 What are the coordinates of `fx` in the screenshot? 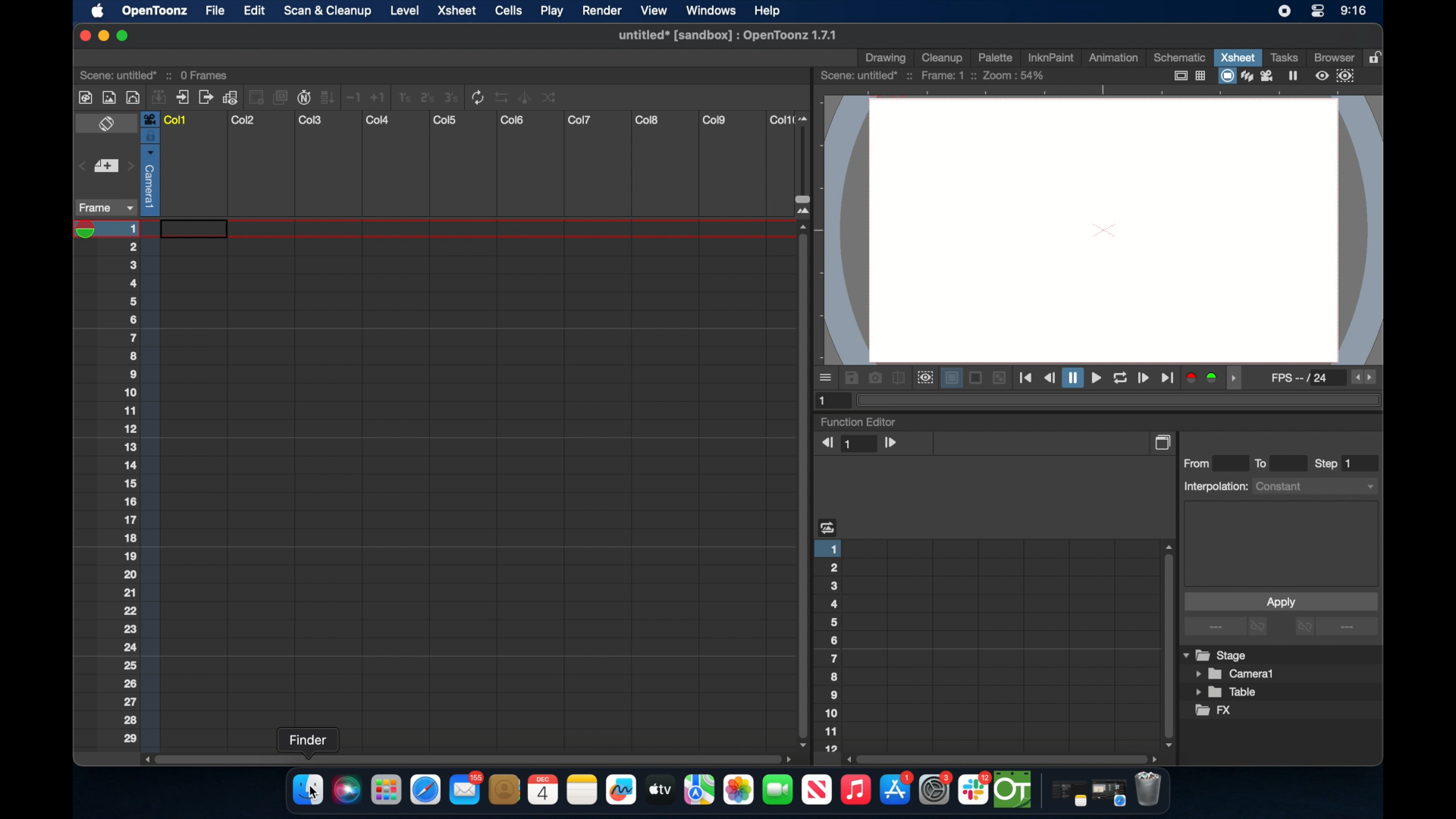 It's located at (1214, 711).